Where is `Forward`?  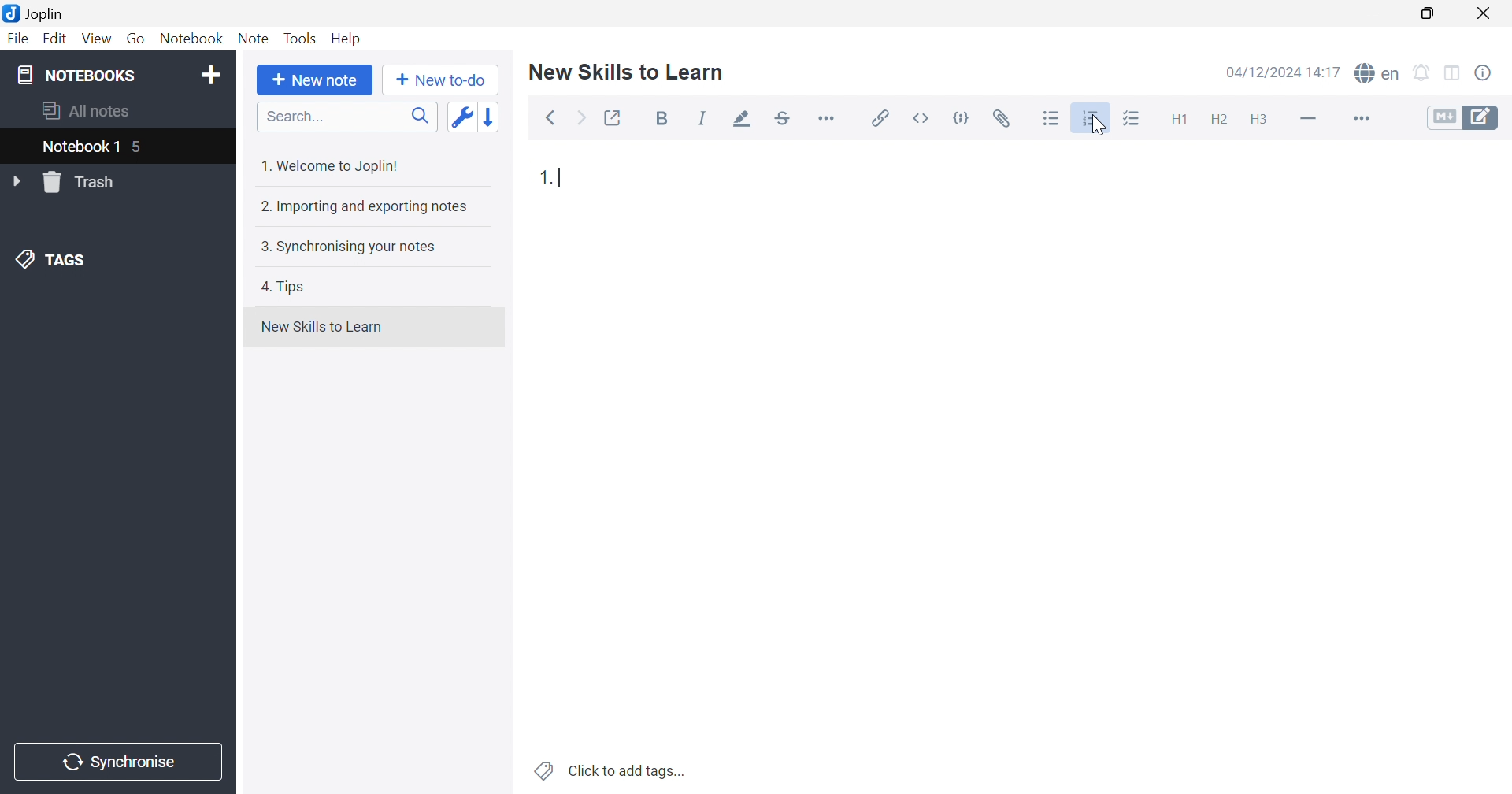 Forward is located at coordinates (582, 120).